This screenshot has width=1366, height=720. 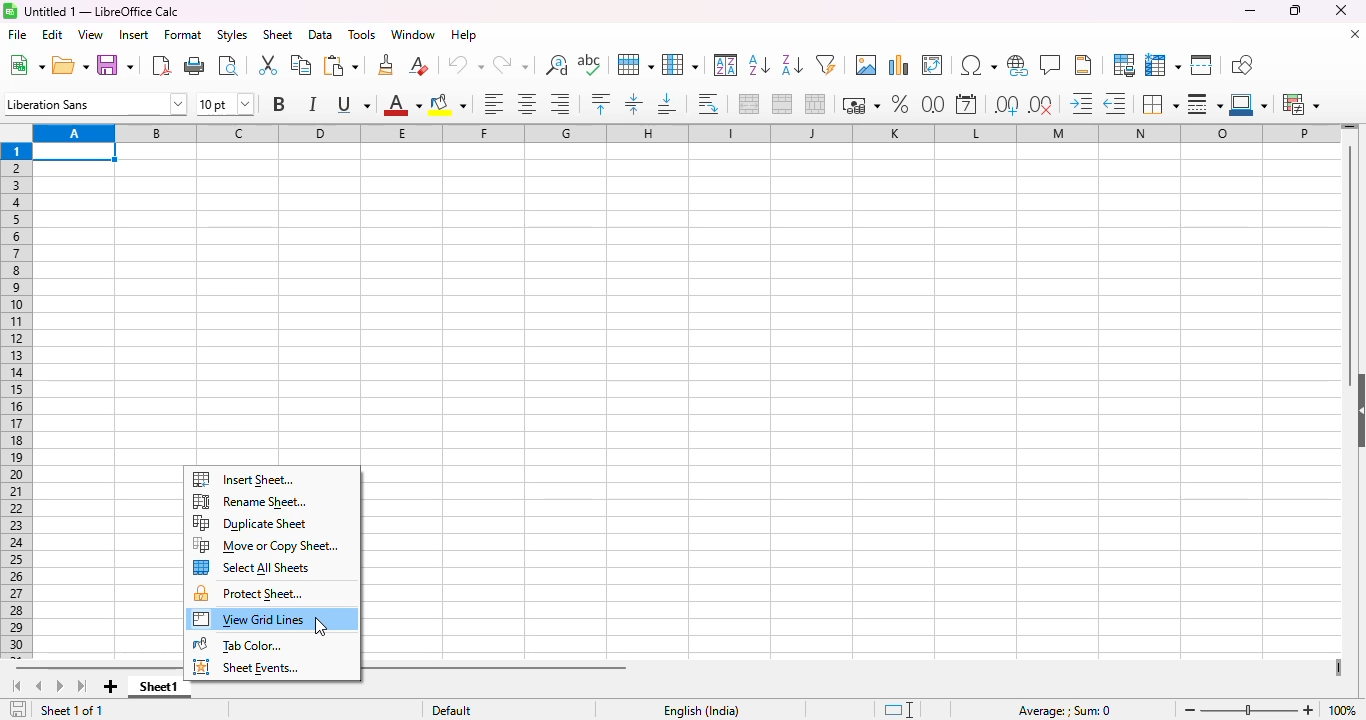 I want to click on align bottom, so click(x=668, y=104).